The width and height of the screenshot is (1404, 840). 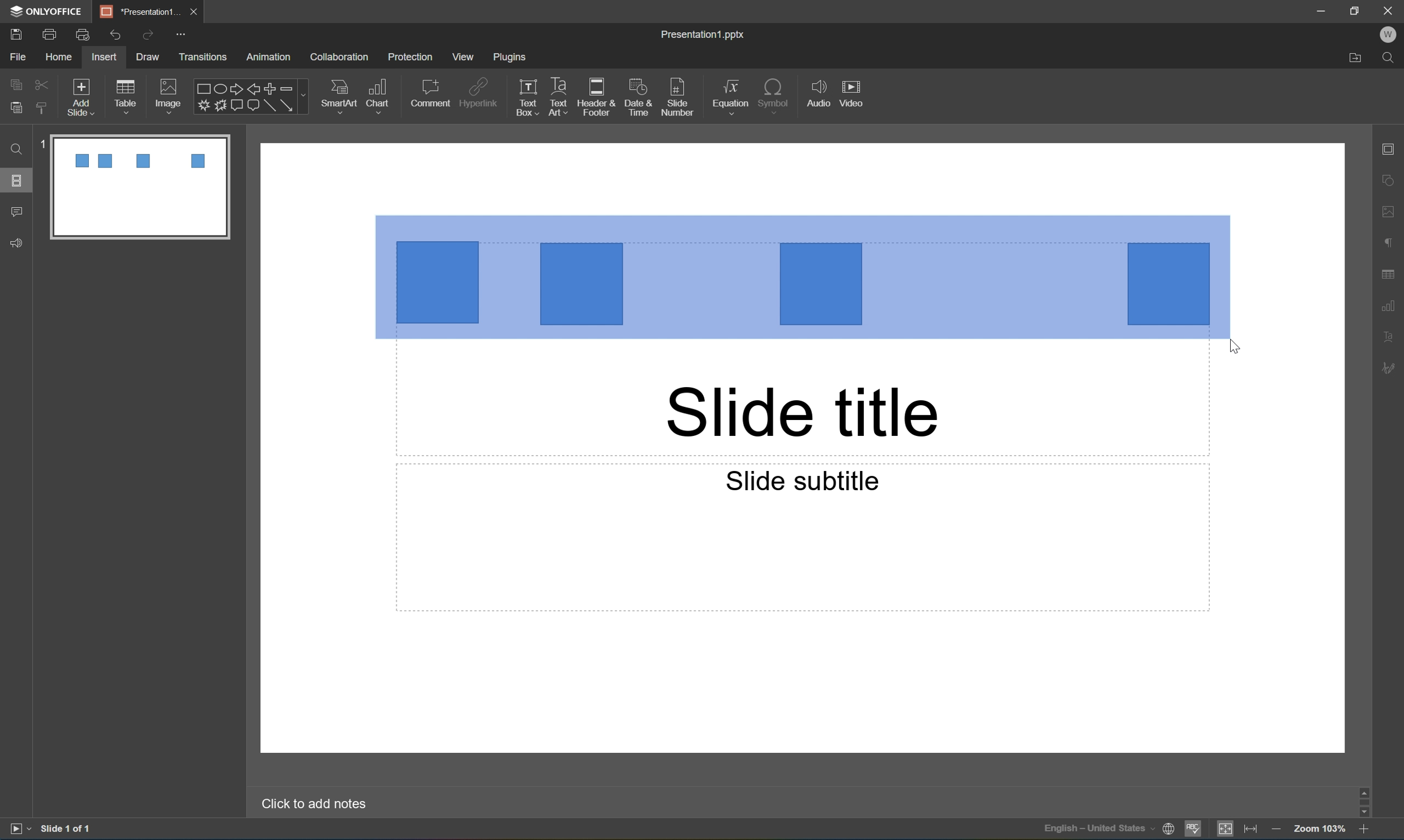 What do you see at coordinates (341, 57) in the screenshot?
I see `collaboration` at bounding box center [341, 57].